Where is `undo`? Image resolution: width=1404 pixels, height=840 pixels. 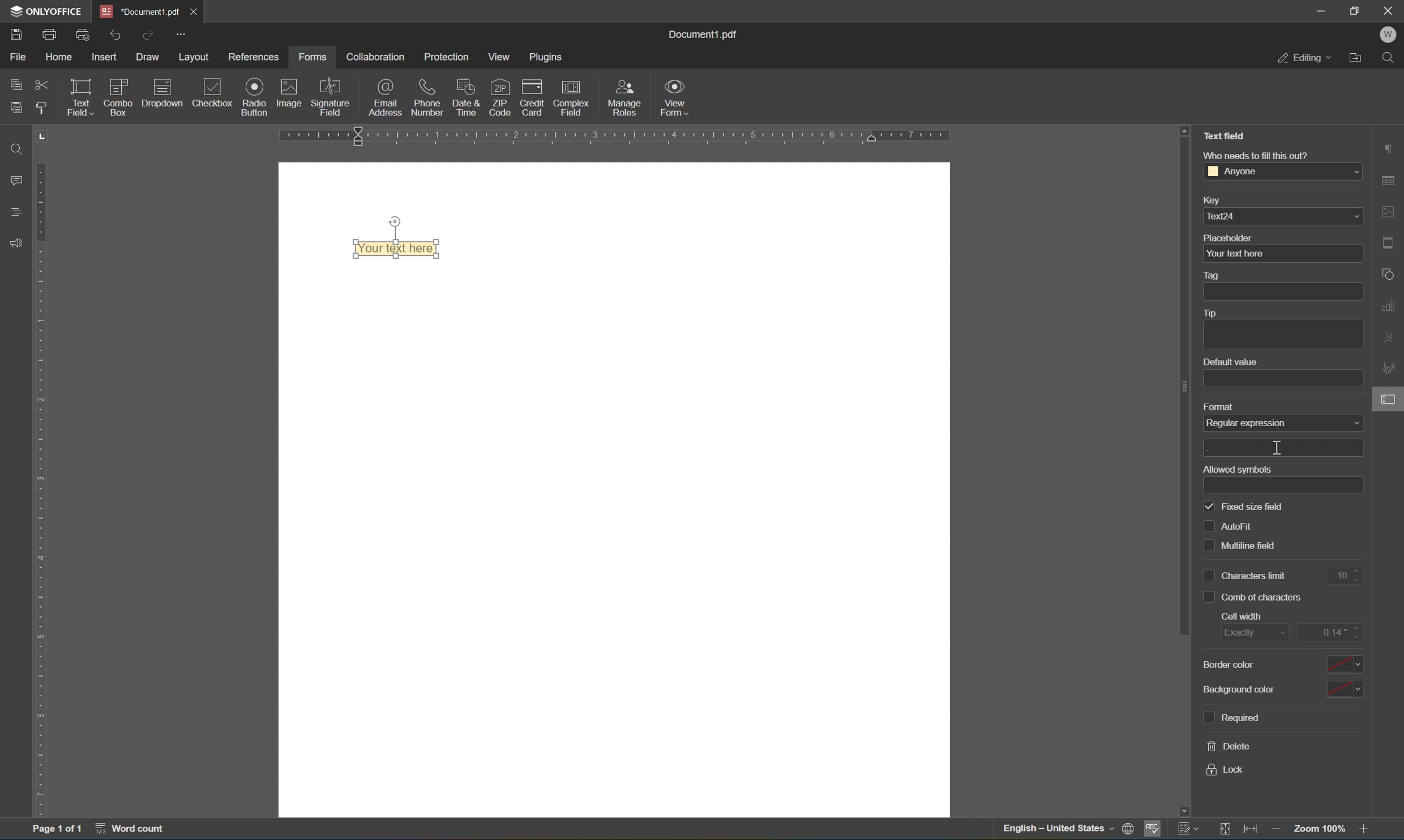 undo is located at coordinates (115, 36).